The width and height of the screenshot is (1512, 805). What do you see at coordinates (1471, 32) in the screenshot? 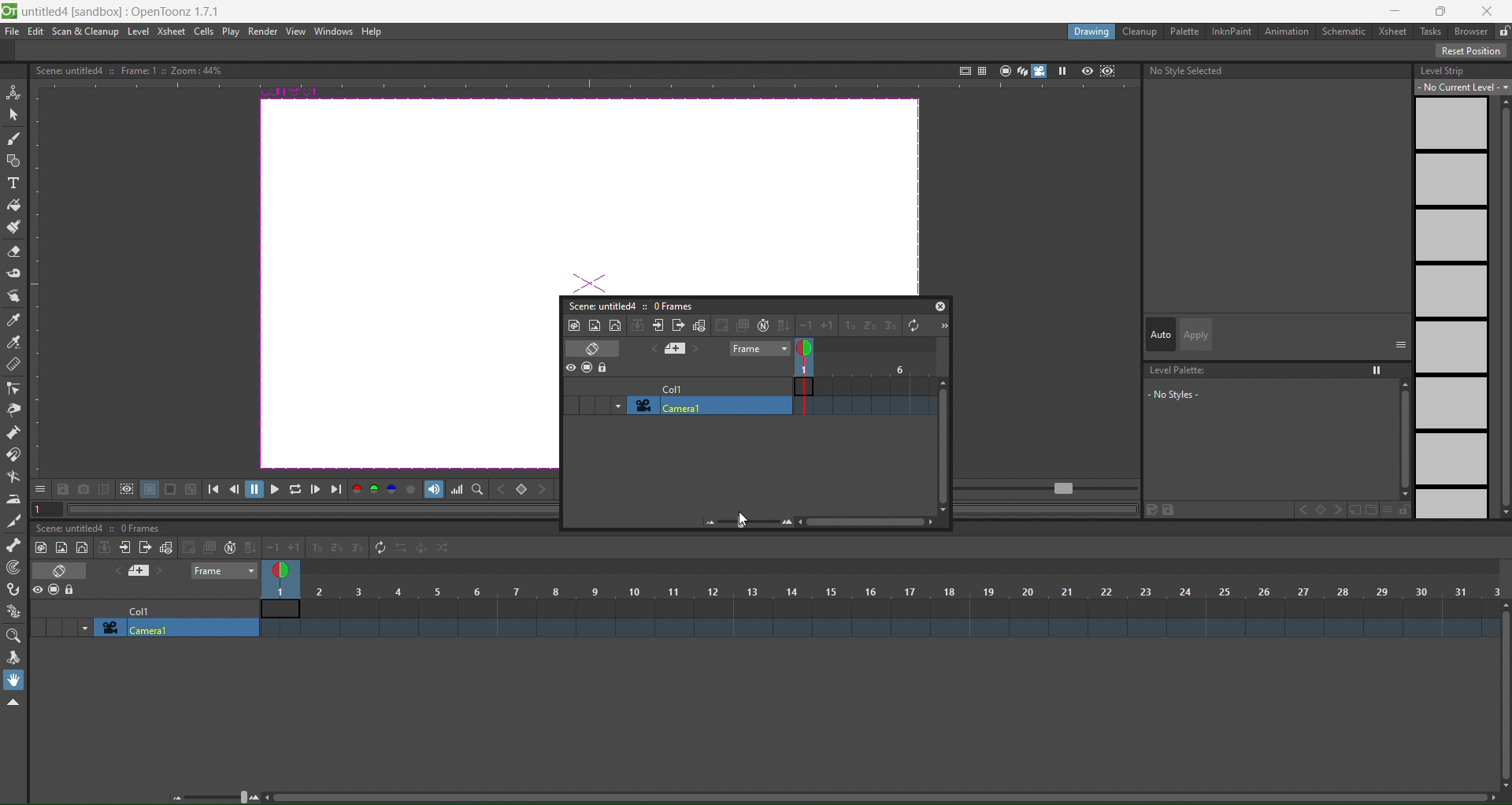
I see `browser` at bounding box center [1471, 32].